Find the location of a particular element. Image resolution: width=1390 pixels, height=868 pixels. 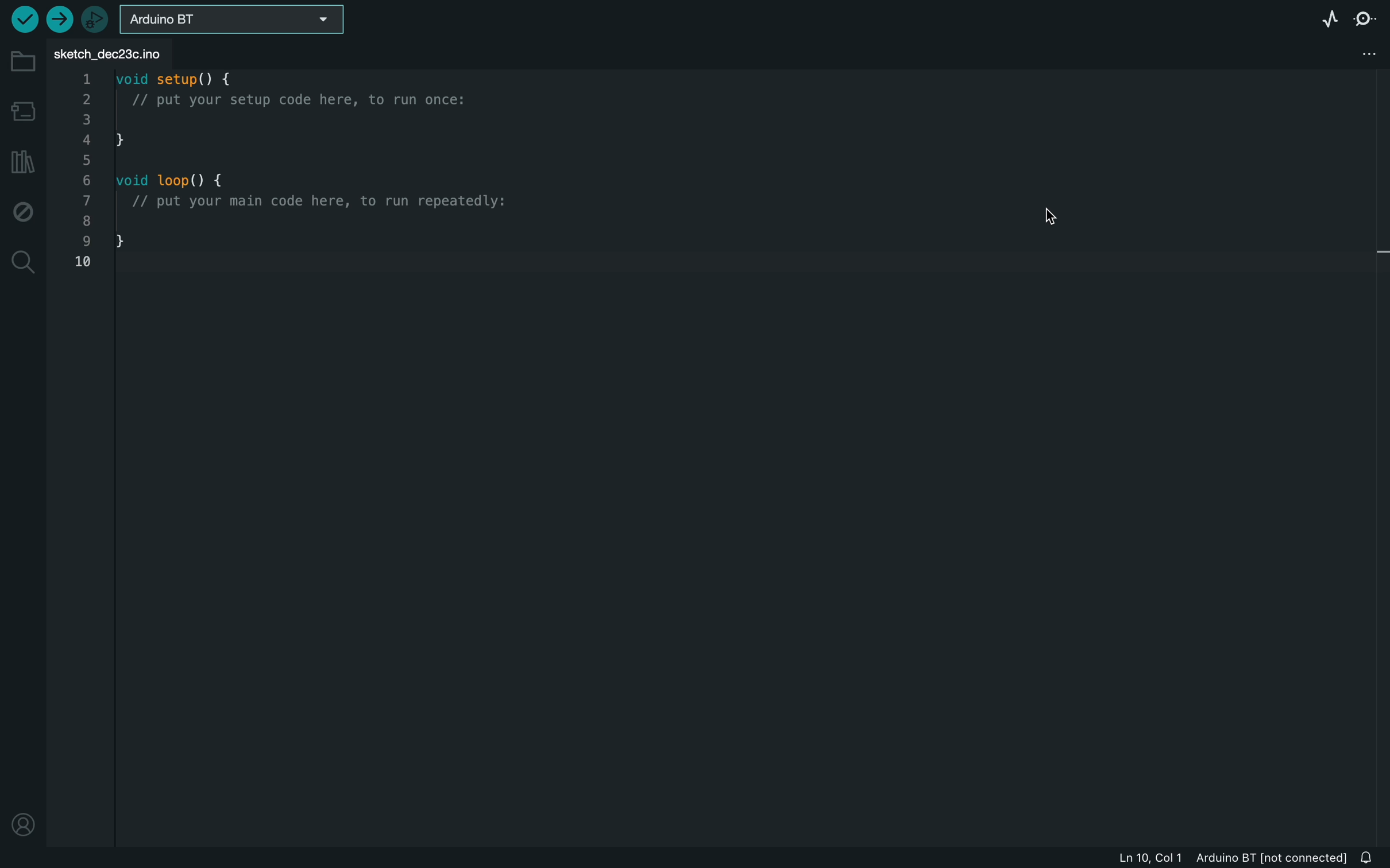

search is located at coordinates (20, 263).